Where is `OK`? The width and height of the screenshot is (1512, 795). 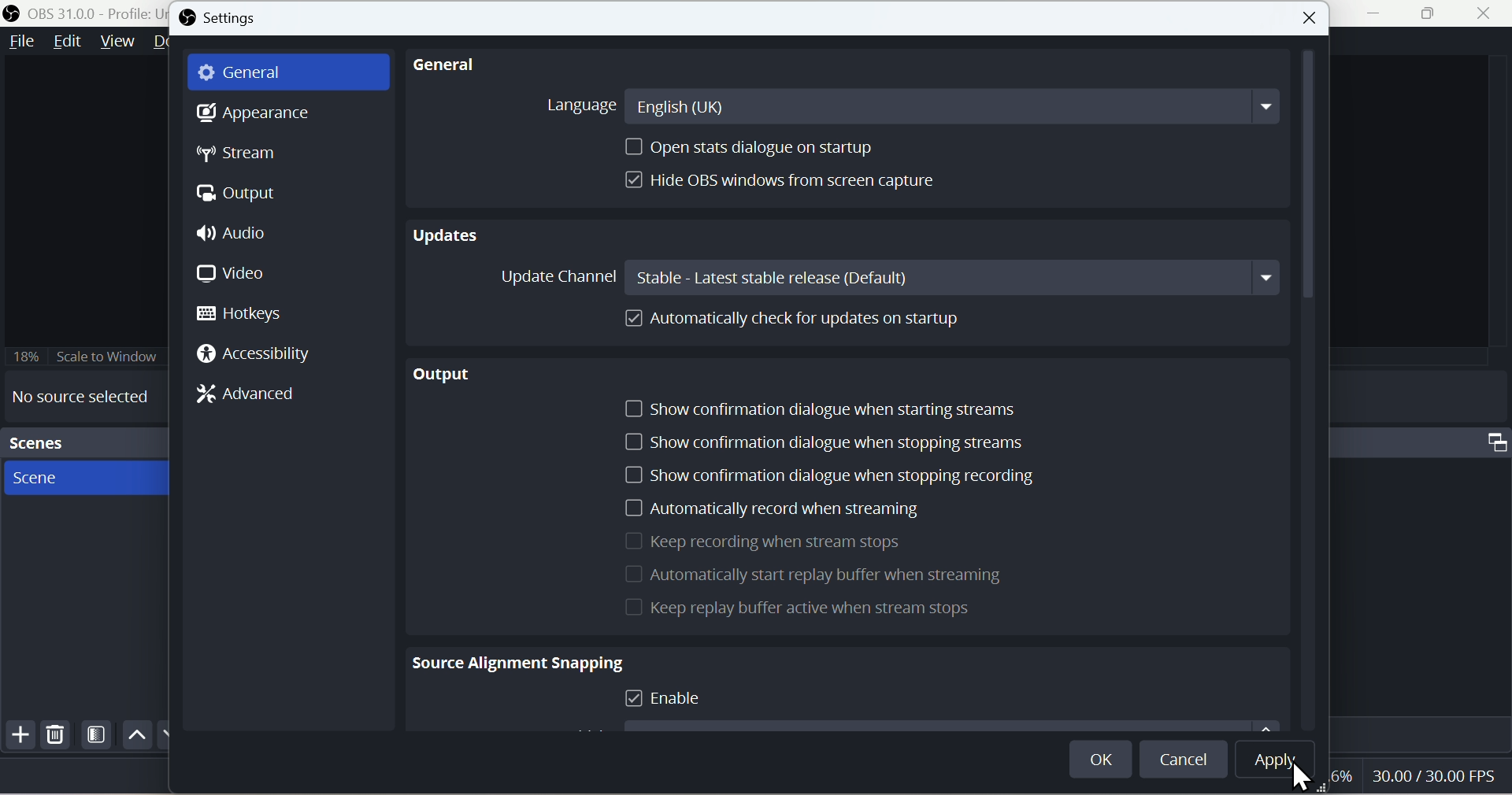
OK is located at coordinates (1102, 759).